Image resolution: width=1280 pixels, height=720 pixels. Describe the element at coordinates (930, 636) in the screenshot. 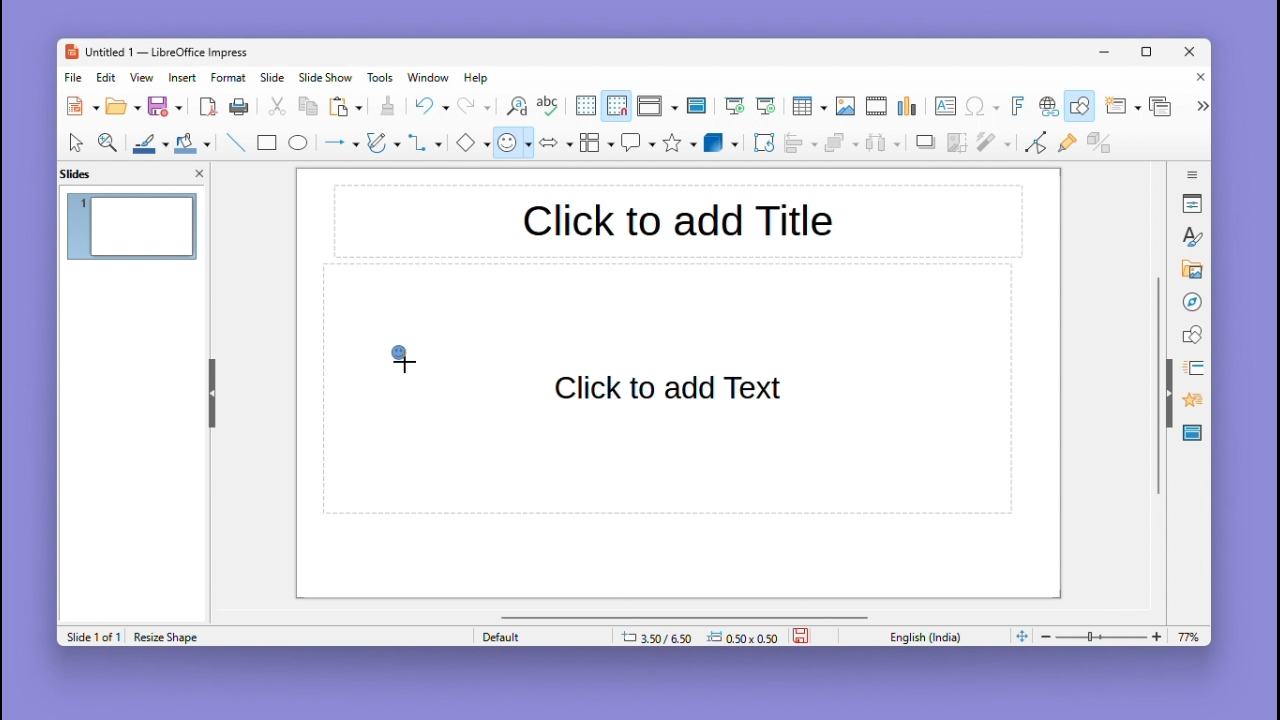

I see `English` at that location.